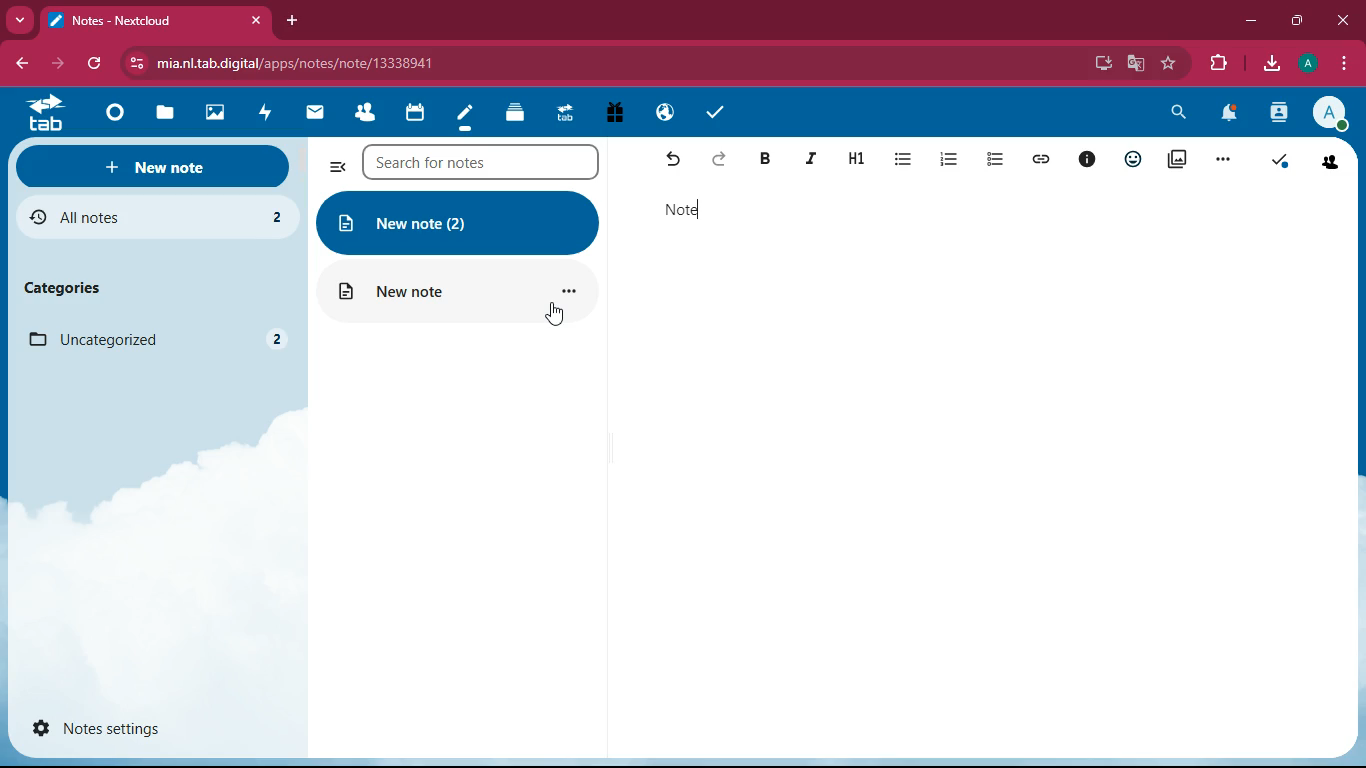 Image resolution: width=1366 pixels, height=768 pixels. Describe the element at coordinates (1325, 162) in the screenshot. I see `friends` at that location.